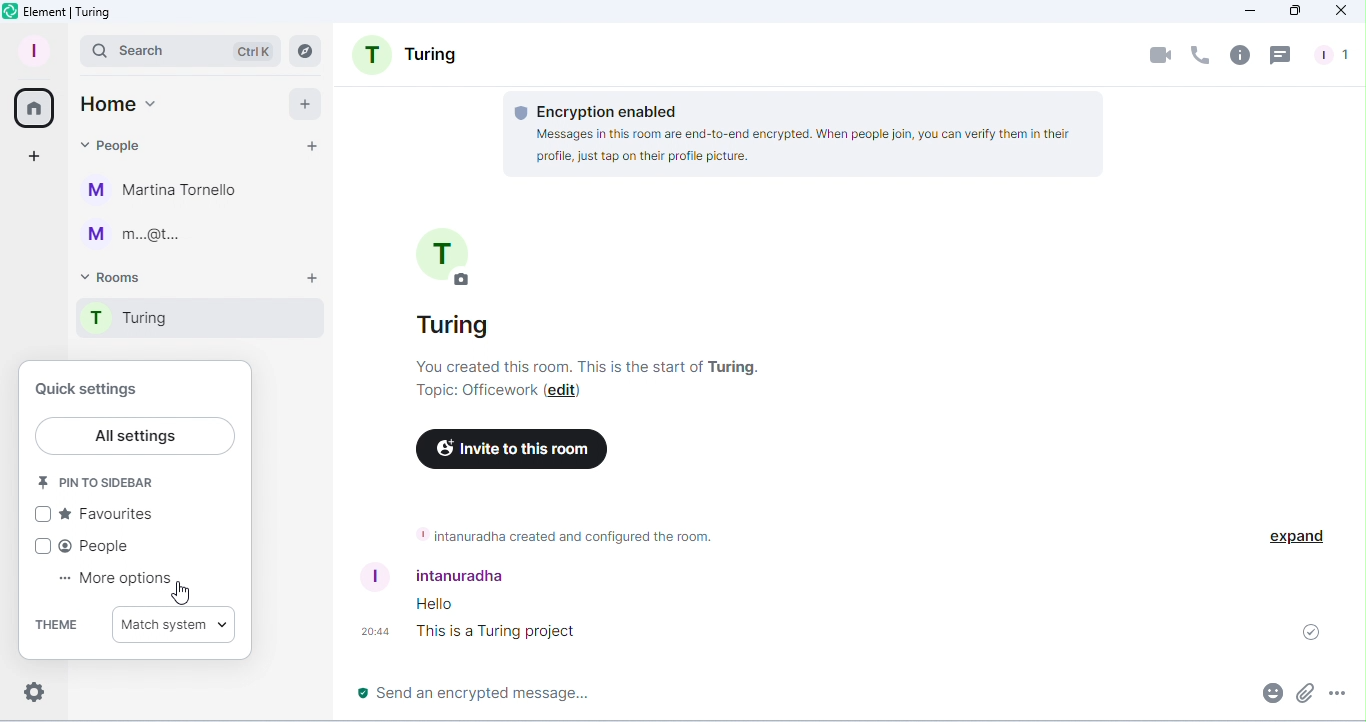  I want to click on Explore rooms, so click(308, 50).